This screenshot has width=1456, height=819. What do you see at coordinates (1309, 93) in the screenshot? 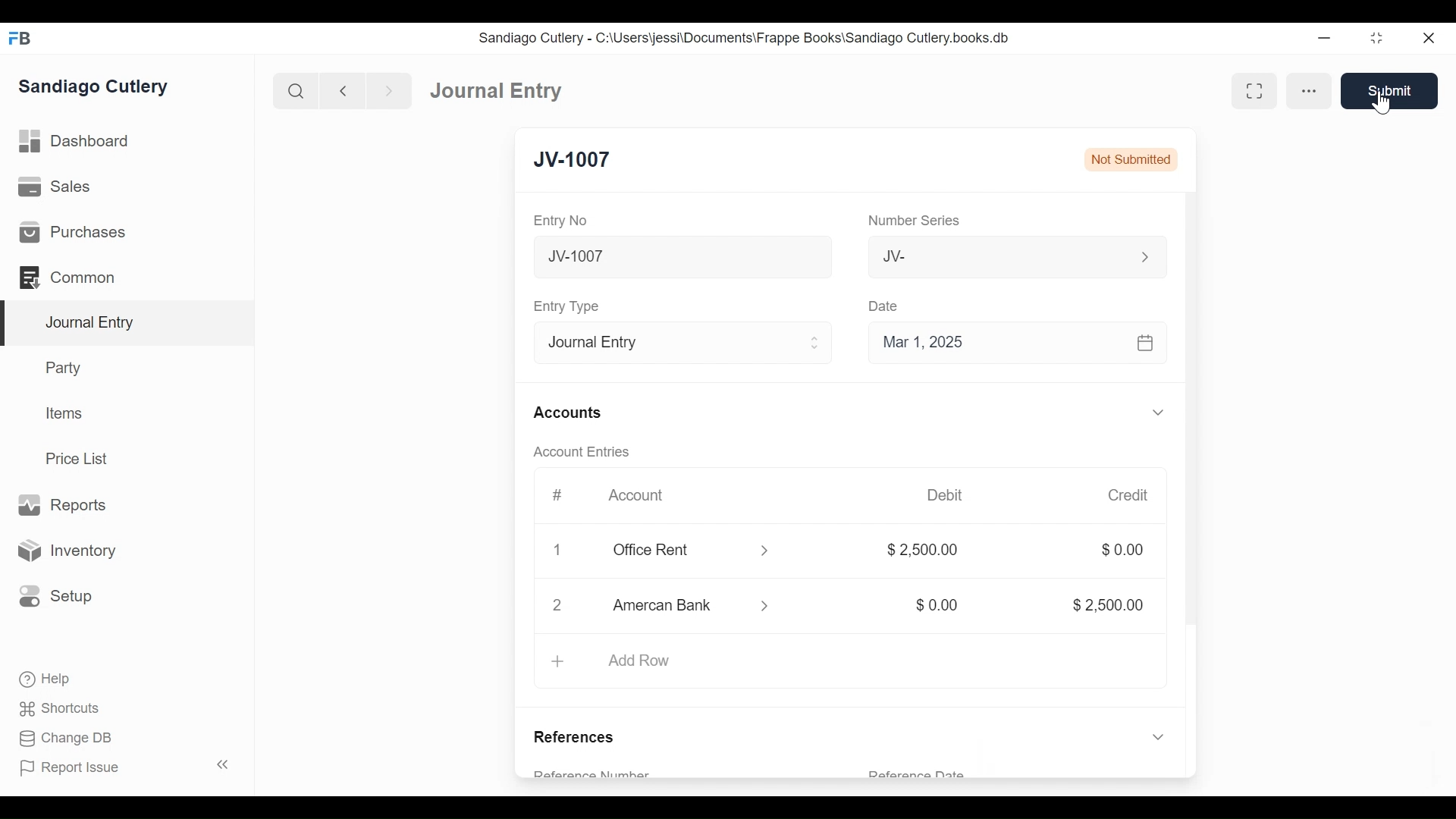
I see `more options` at bounding box center [1309, 93].